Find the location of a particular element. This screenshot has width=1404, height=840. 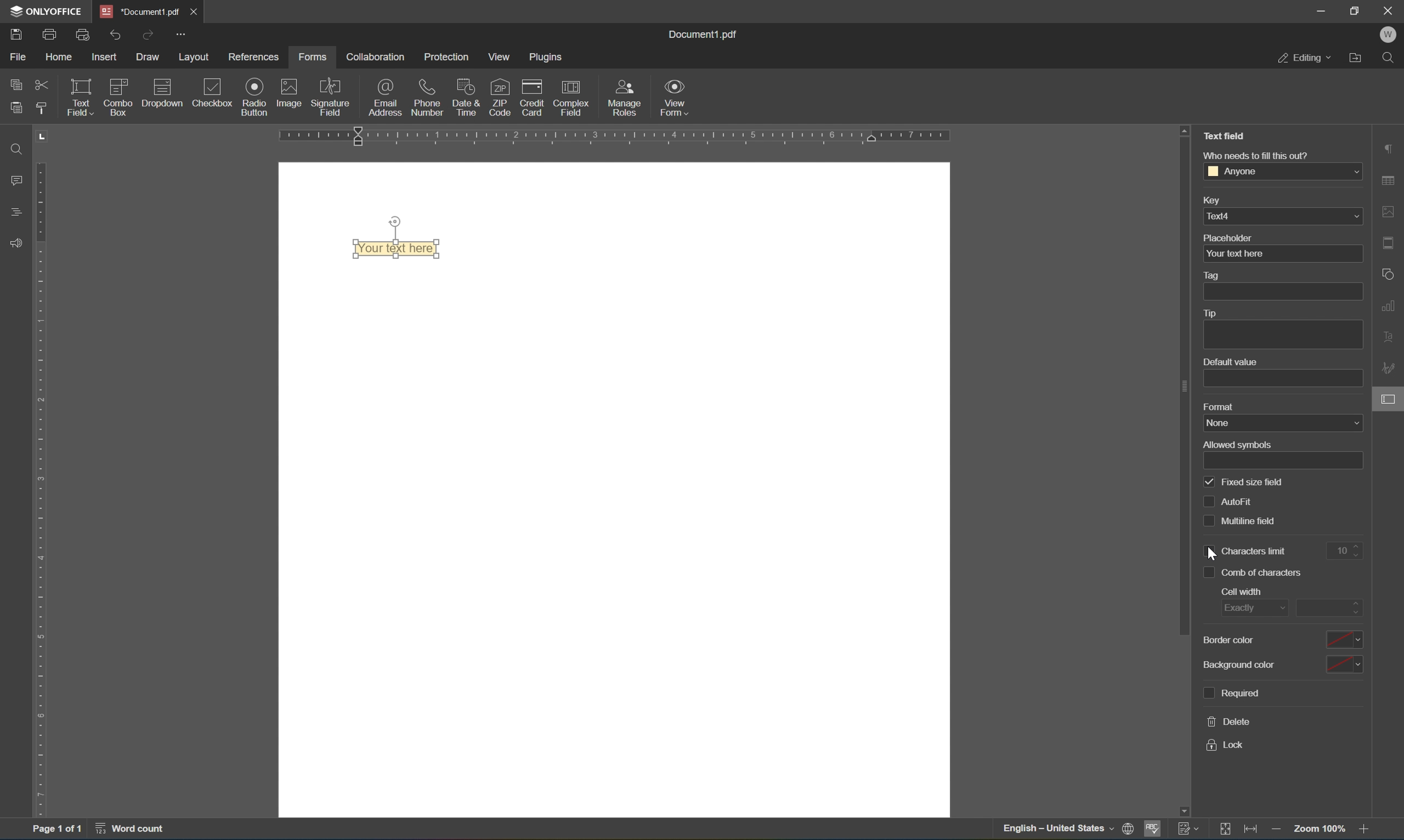

tip is located at coordinates (1210, 312).